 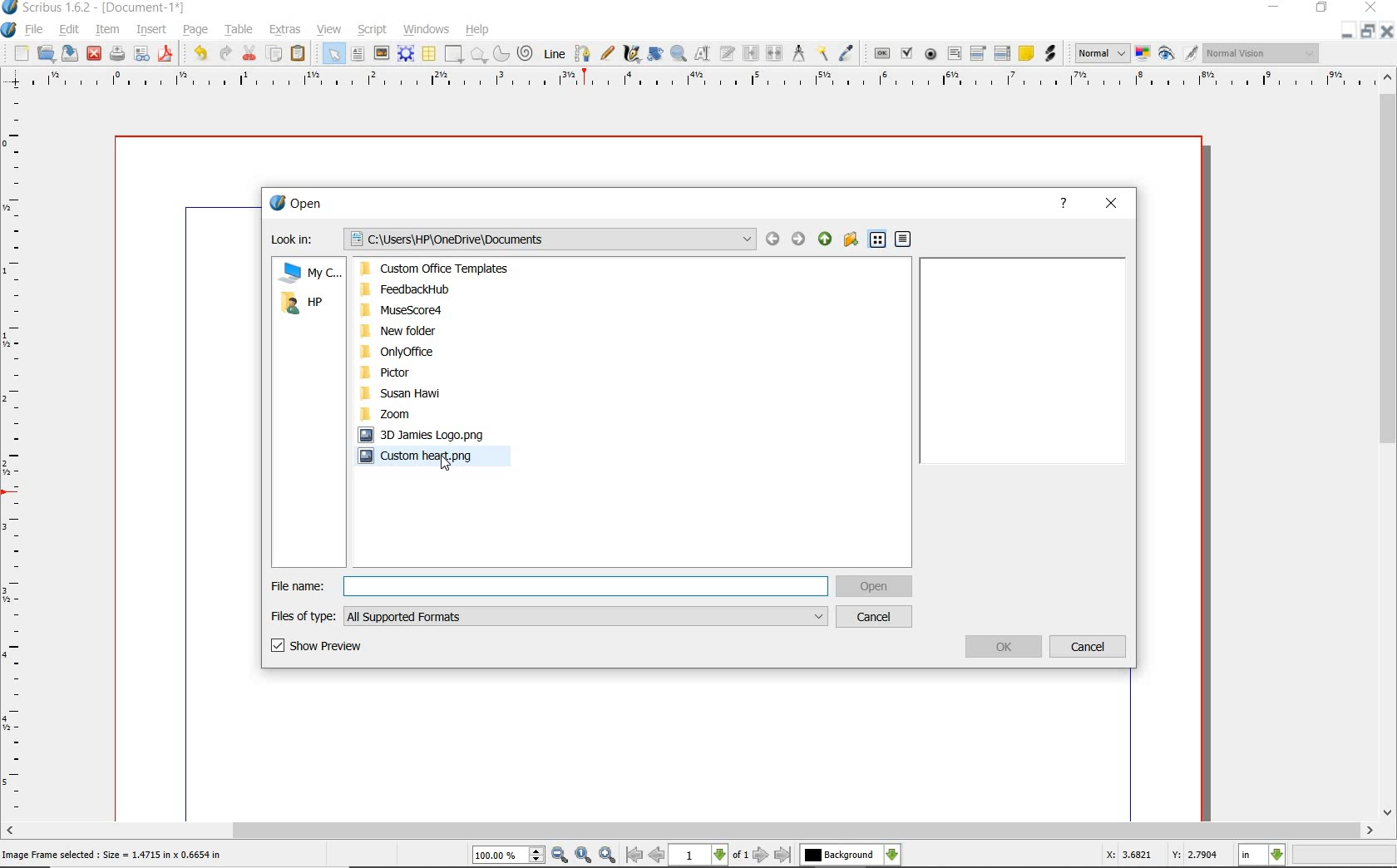 What do you see at coordinates (728, 52) in the screenshot?
I see `edit text with story editor` at bounding box center [728, 52].